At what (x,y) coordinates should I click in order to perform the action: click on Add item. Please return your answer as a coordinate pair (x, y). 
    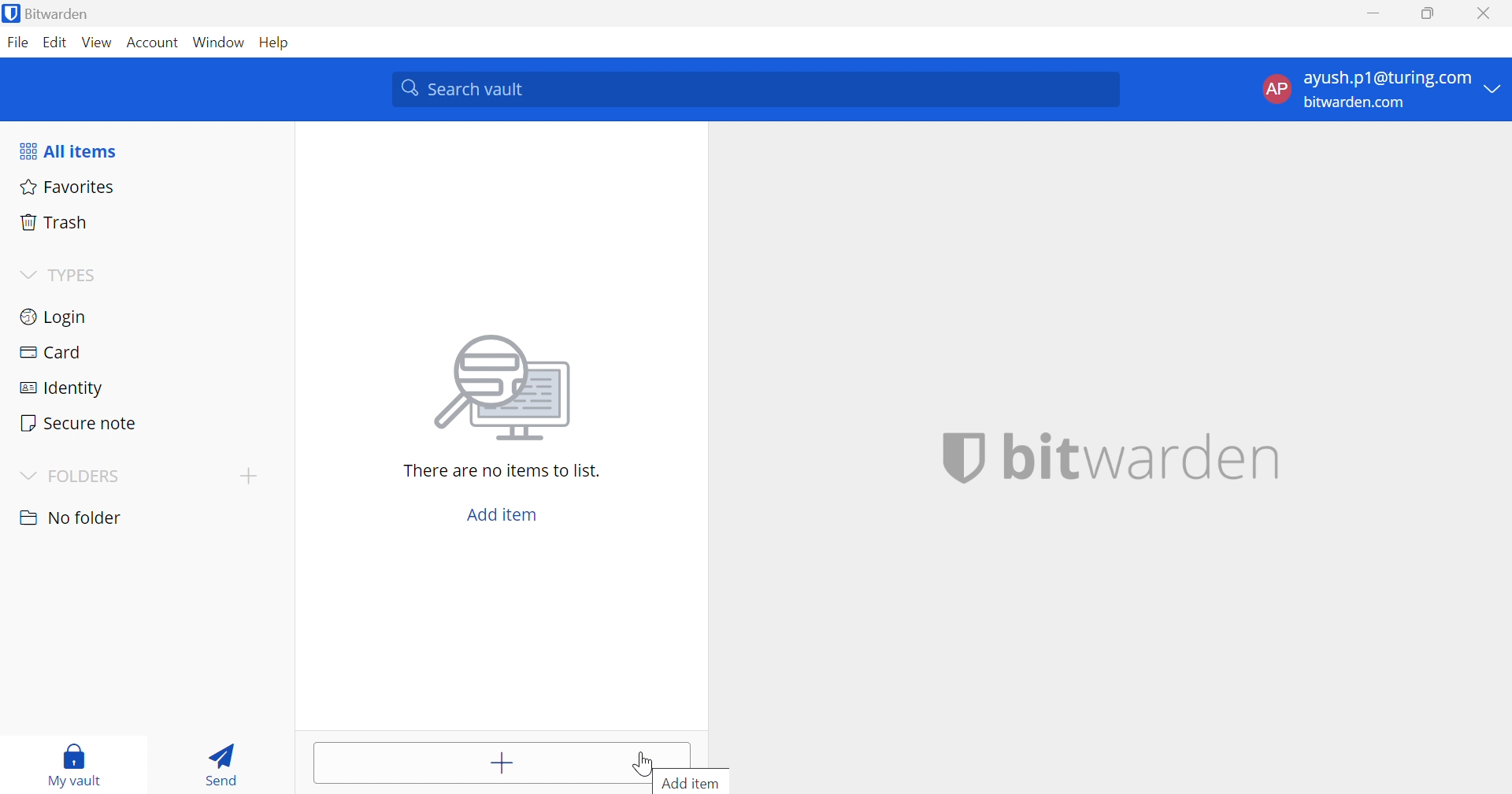
    Looking at the image, I should click on (692, 783).